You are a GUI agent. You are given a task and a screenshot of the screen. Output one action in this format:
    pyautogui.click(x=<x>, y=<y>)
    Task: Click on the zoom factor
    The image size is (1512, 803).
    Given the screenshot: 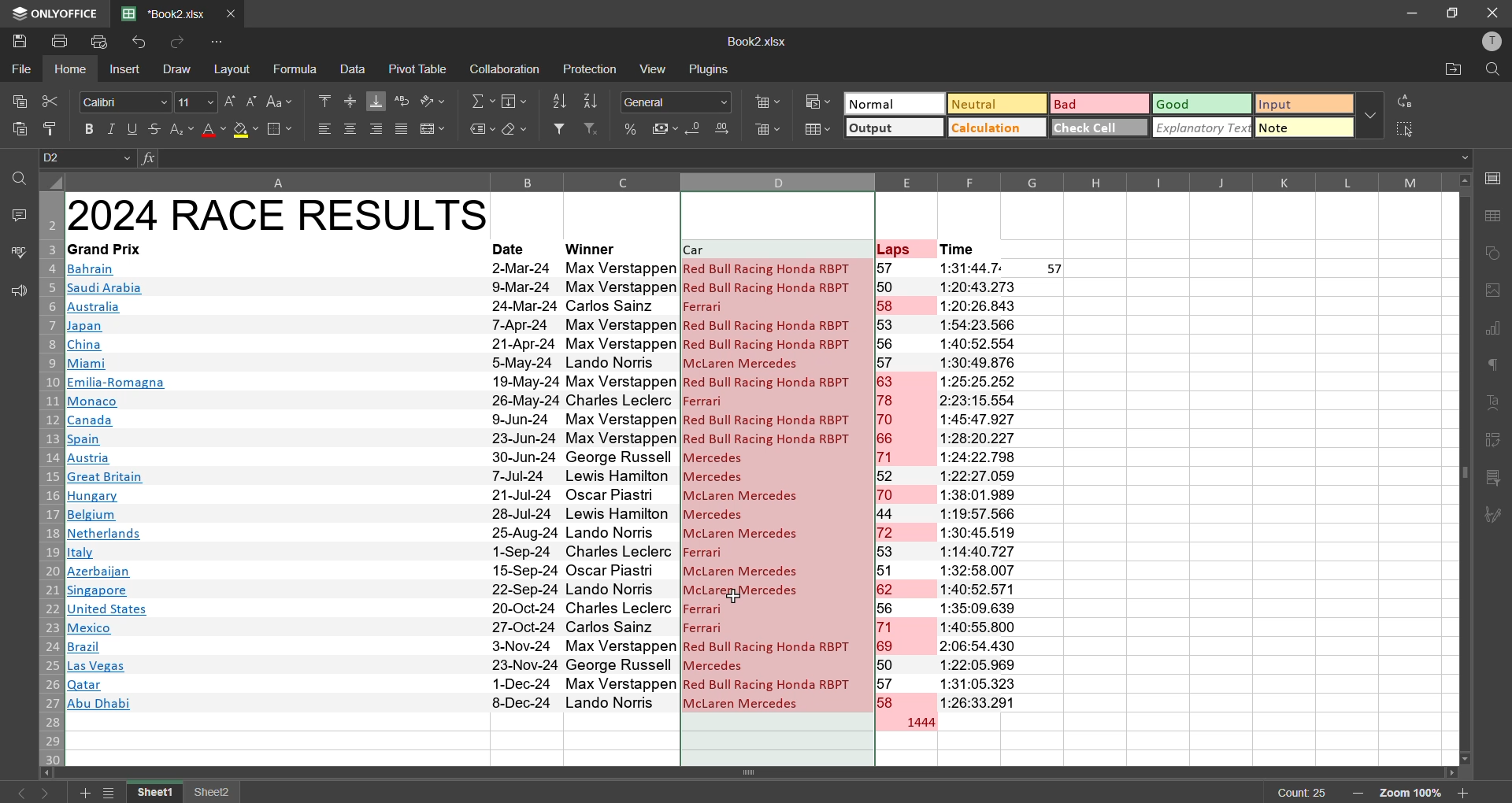 What is the action you would take?
    pyautogui.click(x=1412, y=794)
    